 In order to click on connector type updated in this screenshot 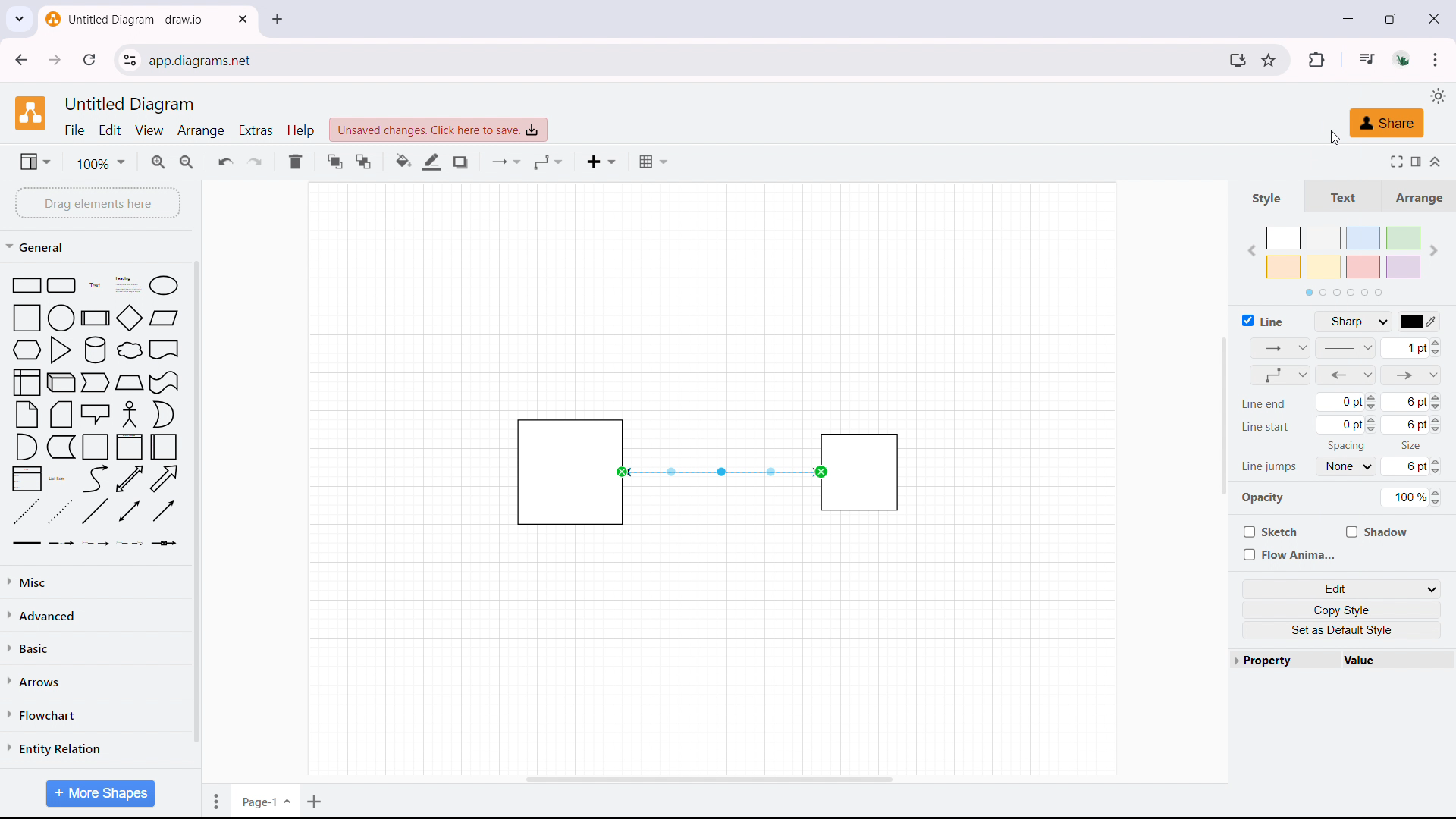, I will do `click(1345, 373)`.